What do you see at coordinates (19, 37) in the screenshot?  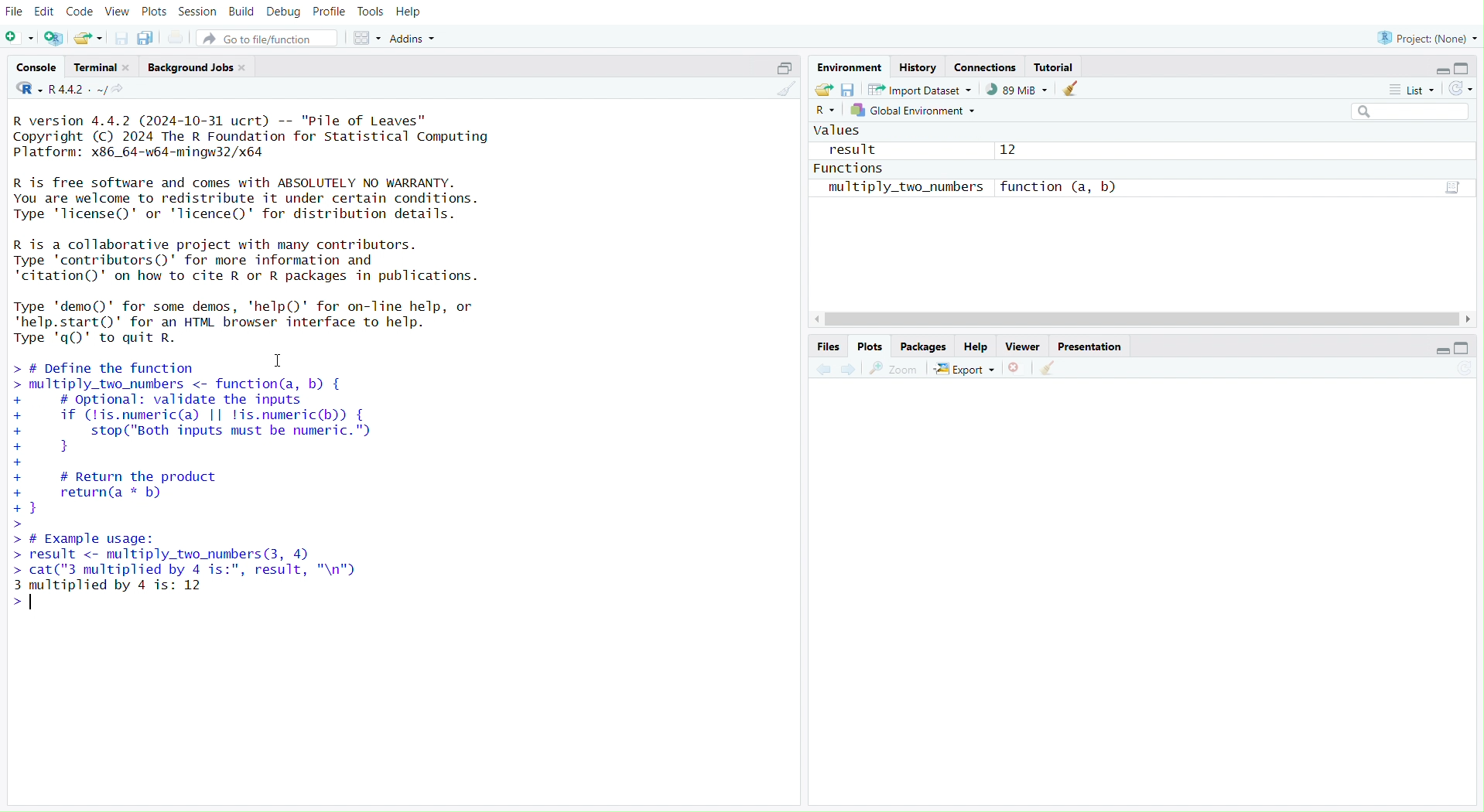 I see `New file` at bounding box center [19, 37].